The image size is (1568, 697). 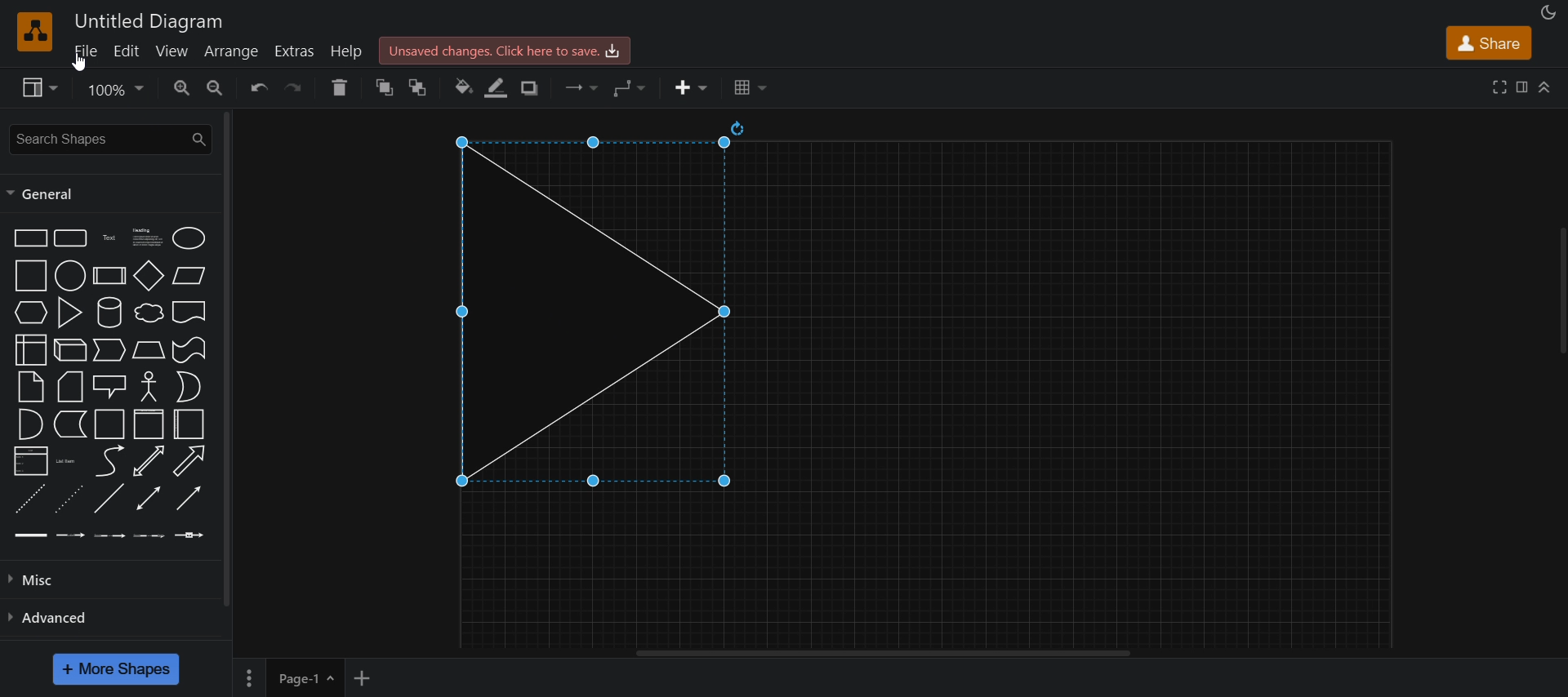 I want to click on note, so click(x=29, y=386).